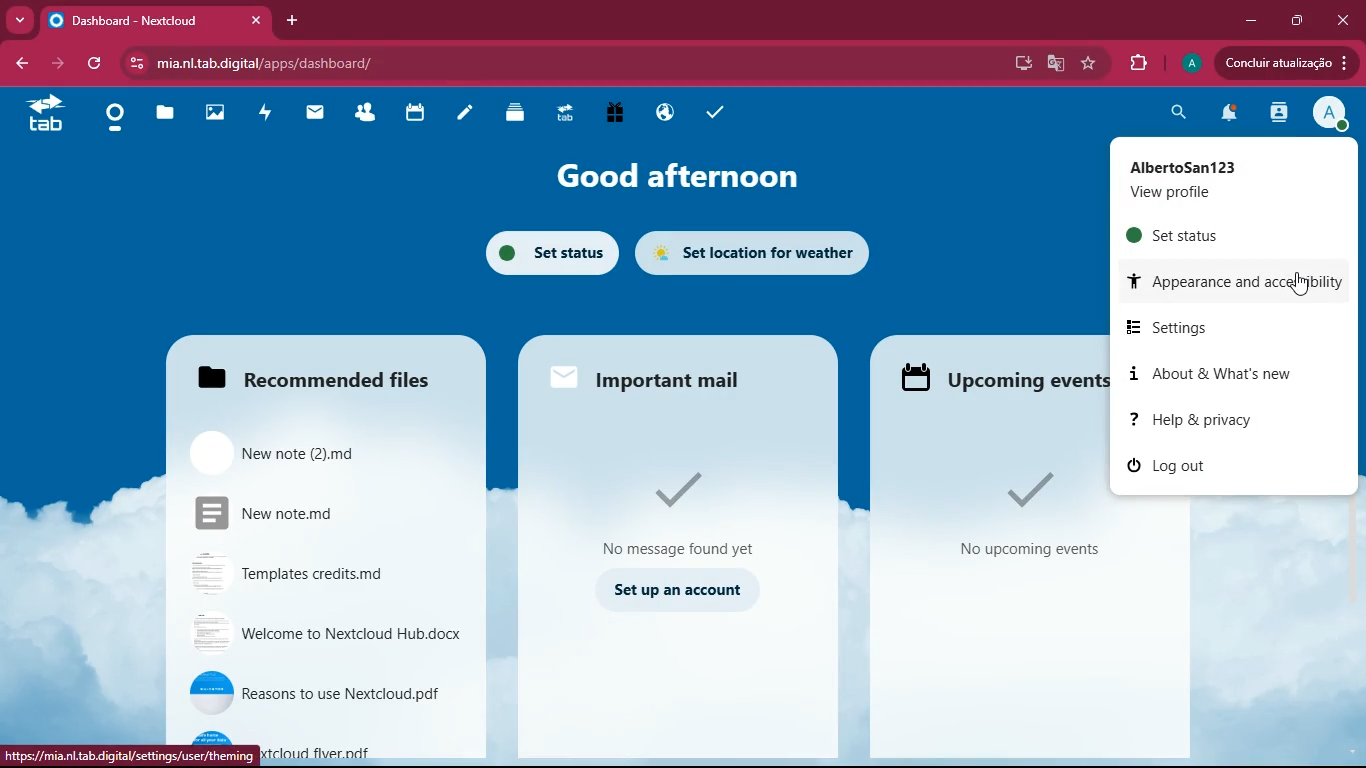  What do you see at coordinates (664, 113) in the screenshot?
I see `public` at bounding box center [664, 113].